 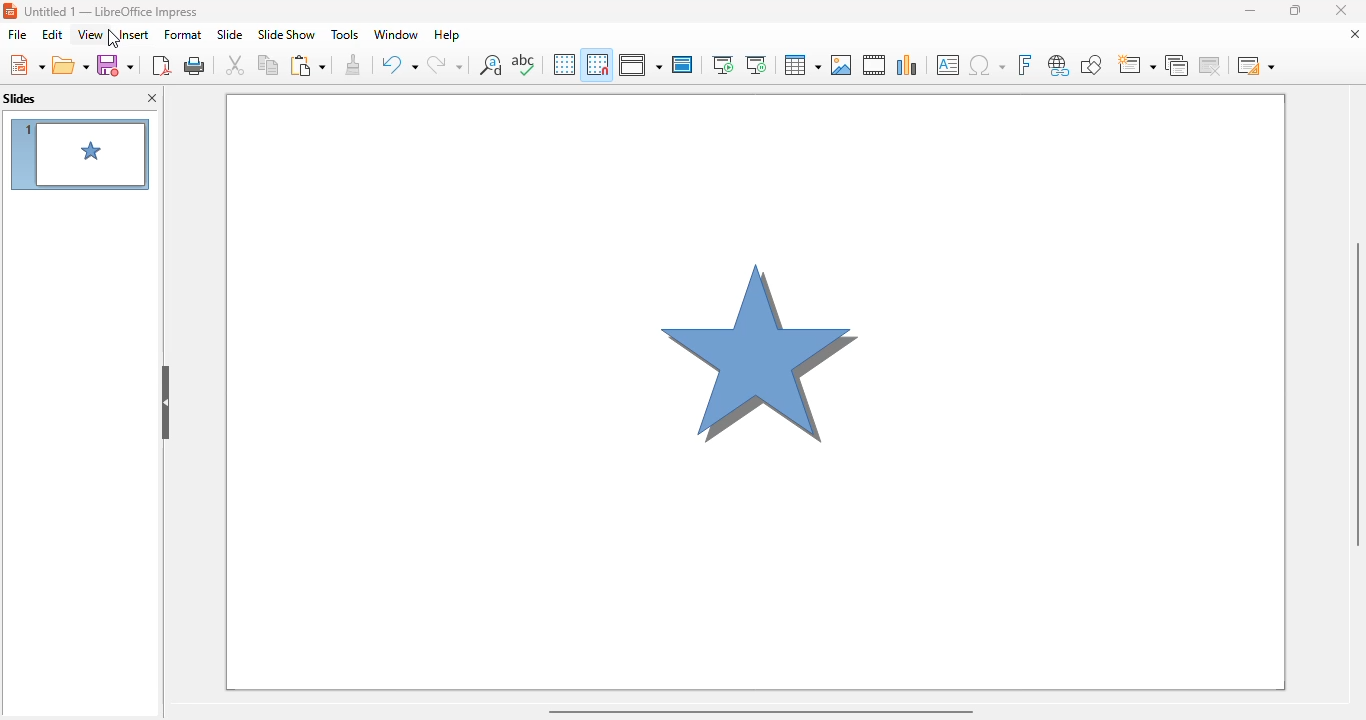 What do you see at coordinates (152, 97) in the screenshot?
I see `close pane` at bounding box center [152, 97].